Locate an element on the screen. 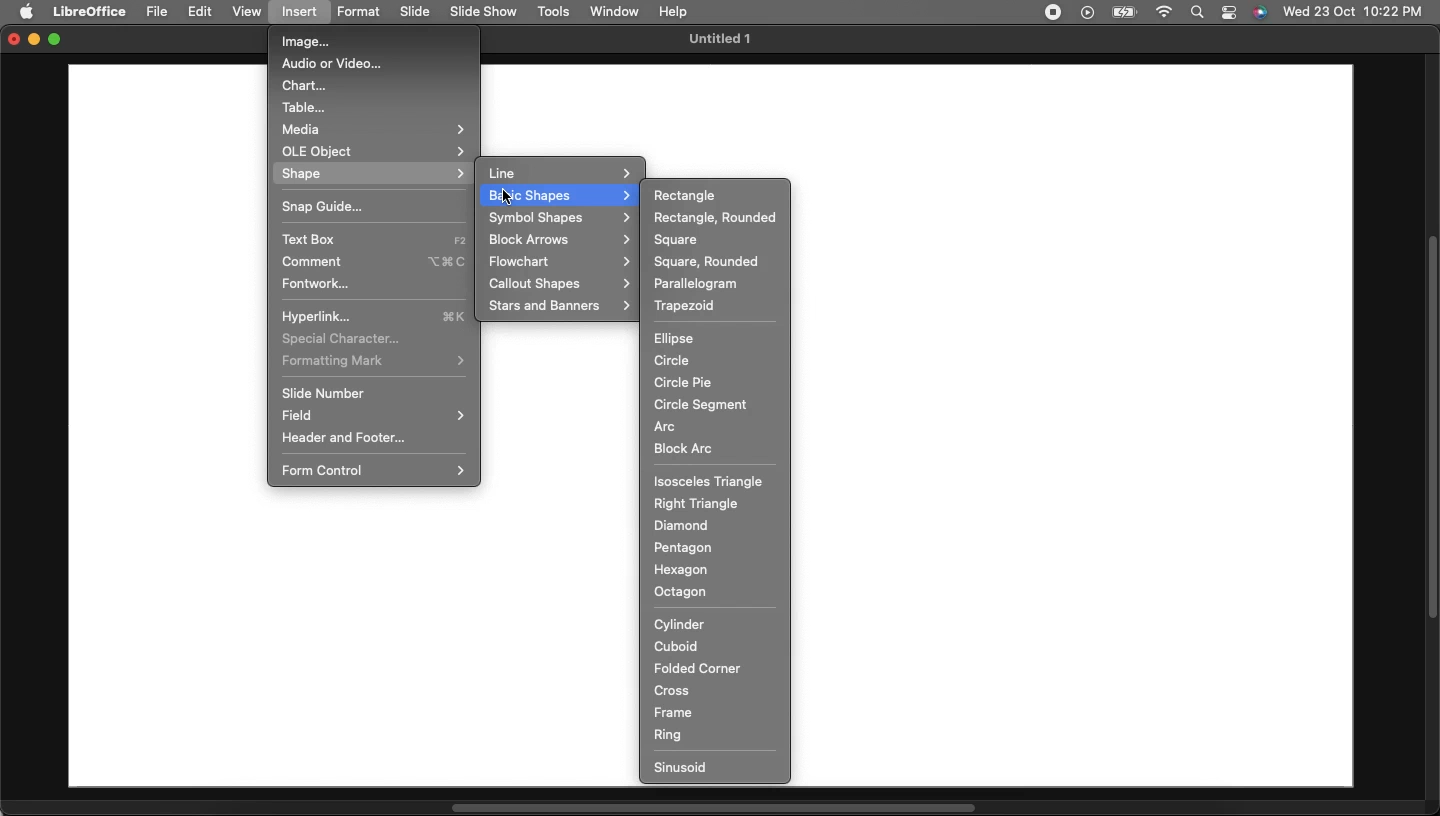 The height and width of the screenshot is (816, 1440). Parallelogram is located at coordinates (695, 283).